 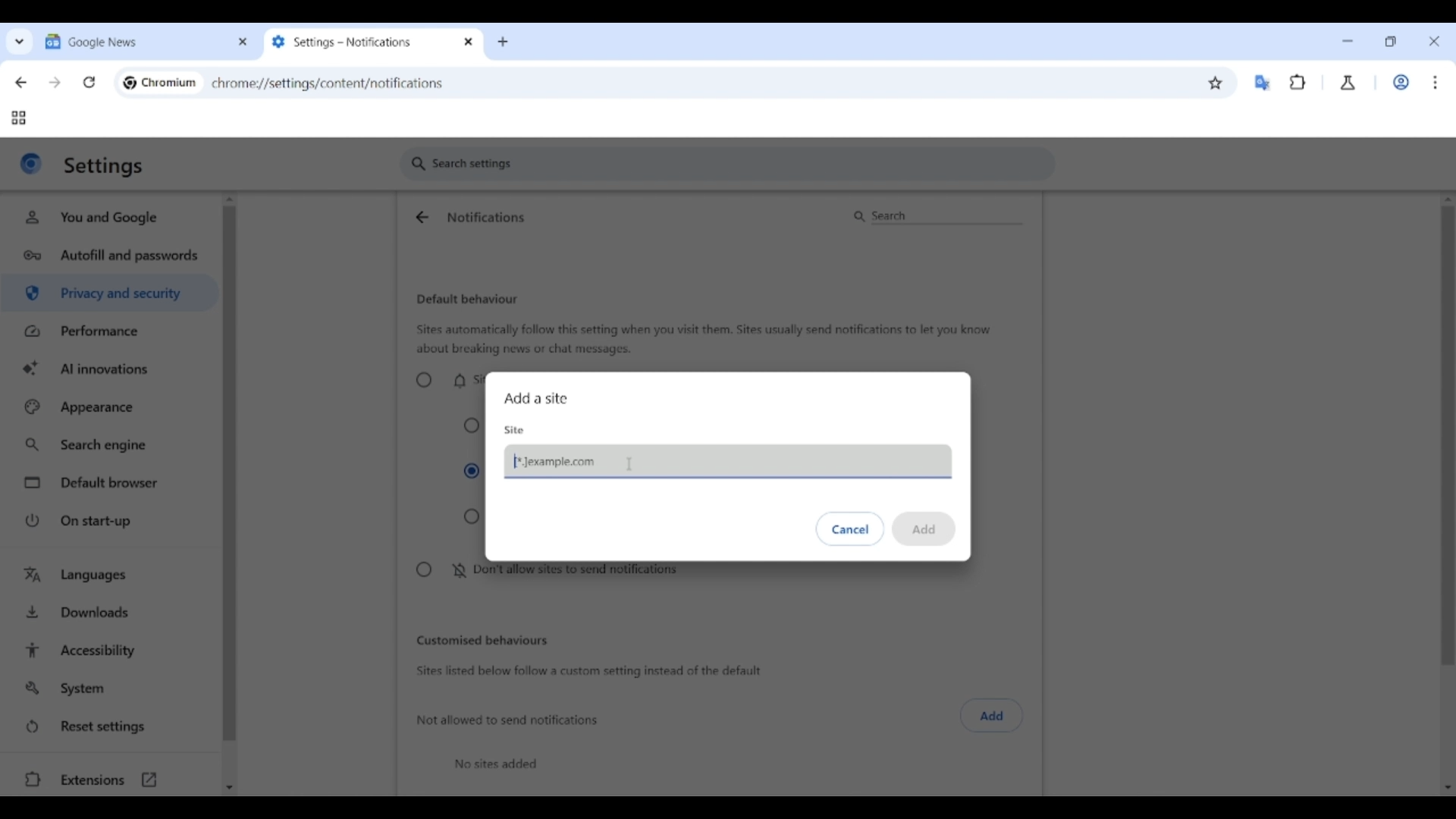 I want to click on Add a site, so click(x=535, y=398).